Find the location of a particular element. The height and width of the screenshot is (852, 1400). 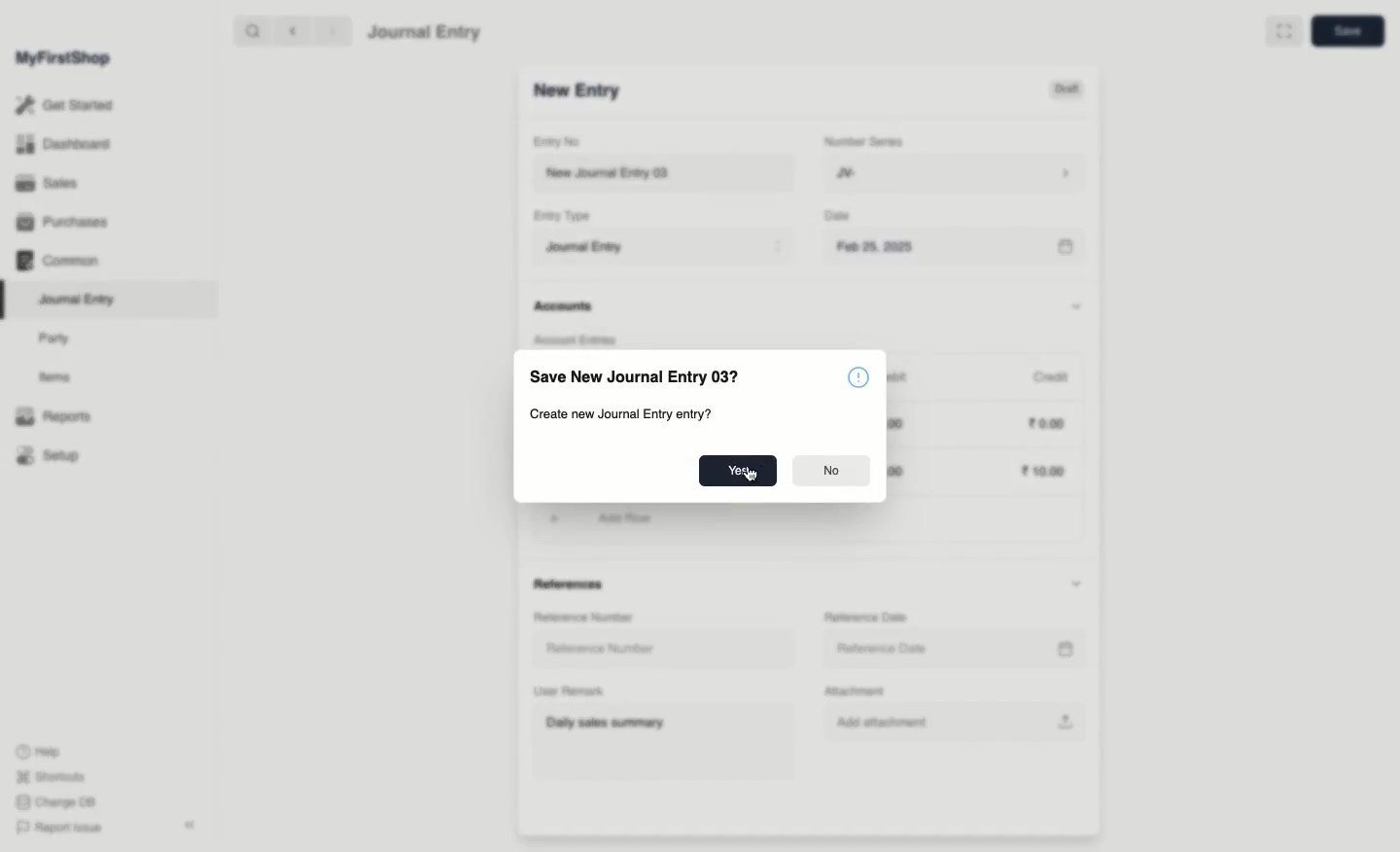

Setup is located at coordinates (50, 457).